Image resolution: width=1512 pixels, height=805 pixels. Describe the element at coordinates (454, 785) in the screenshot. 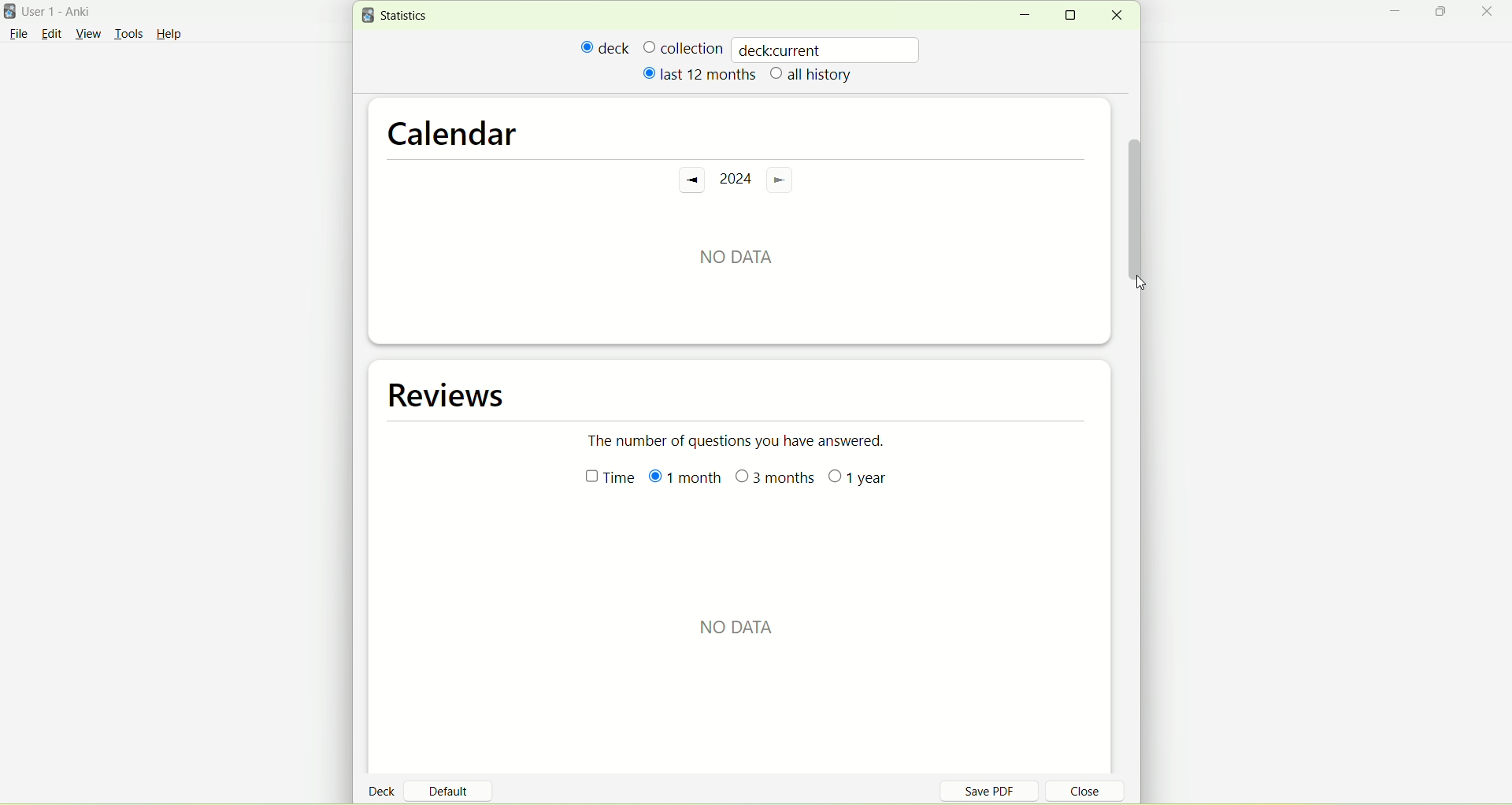

I see `default` at that location.